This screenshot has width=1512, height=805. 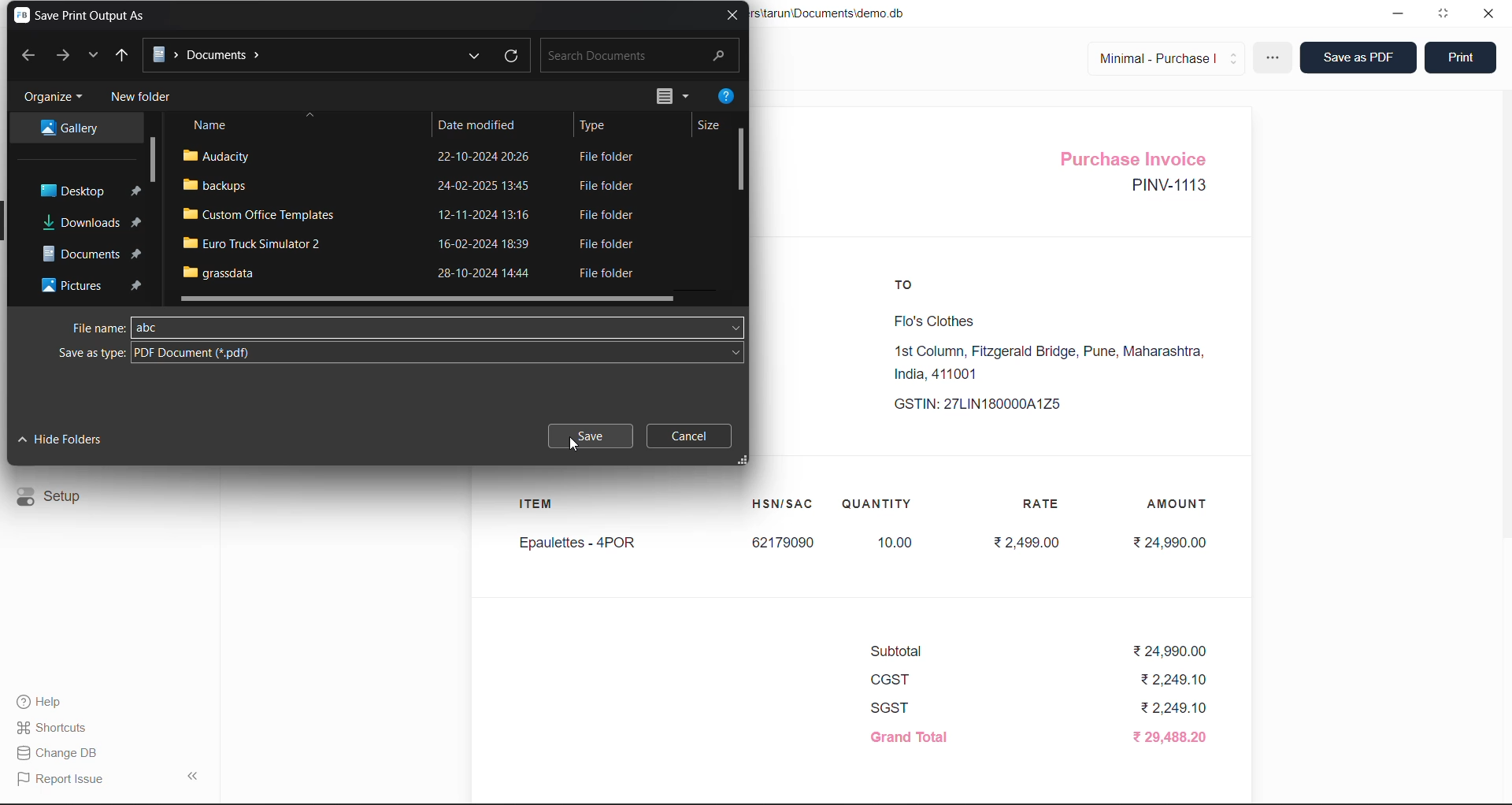 What do you see at coordinates (64, 54) in the screenshot?
I see `forward` at bounding box center [64, 54].